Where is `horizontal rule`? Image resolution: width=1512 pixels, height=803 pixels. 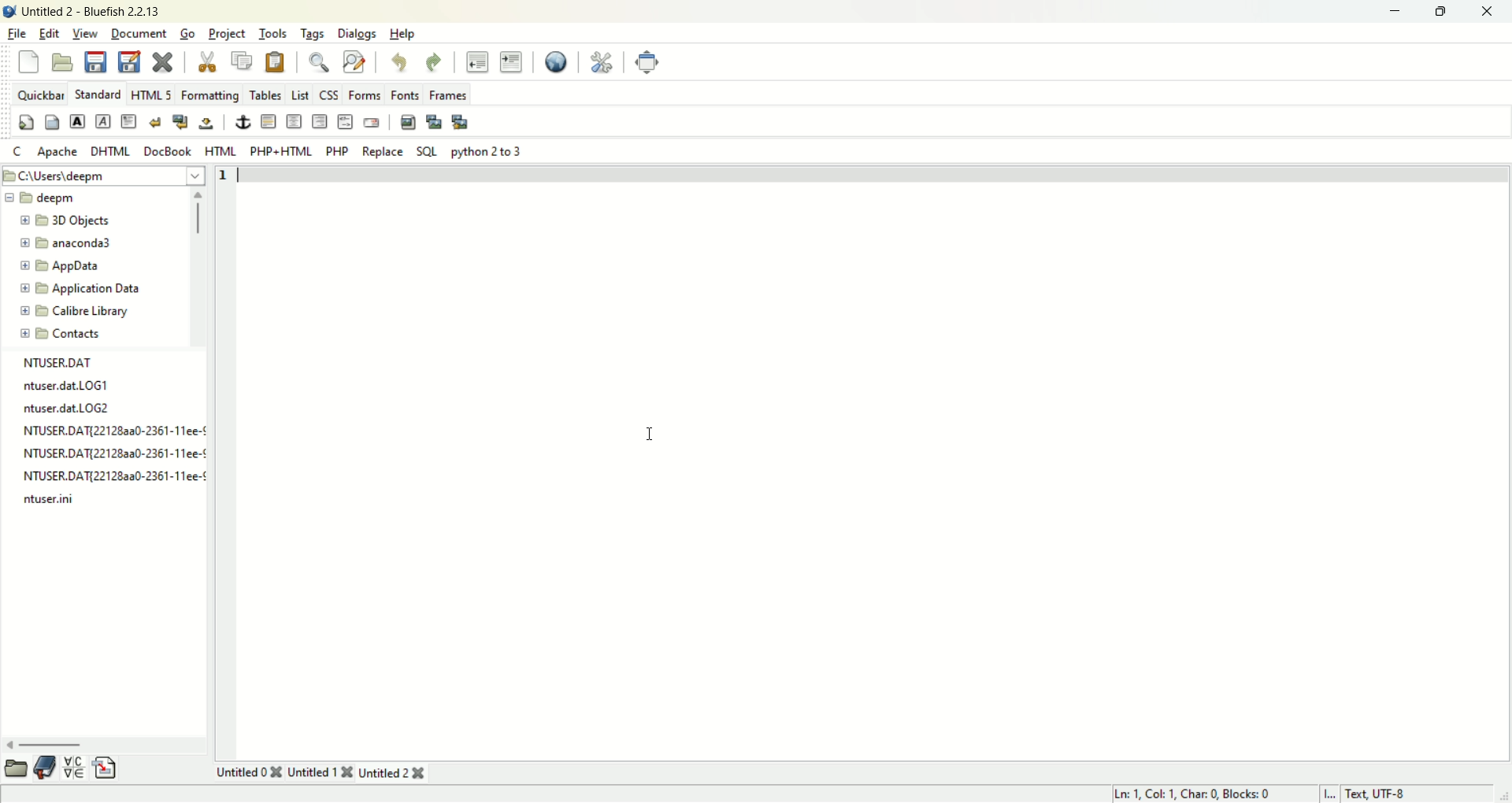
horizontal rule is located at coordinates (269, 121).